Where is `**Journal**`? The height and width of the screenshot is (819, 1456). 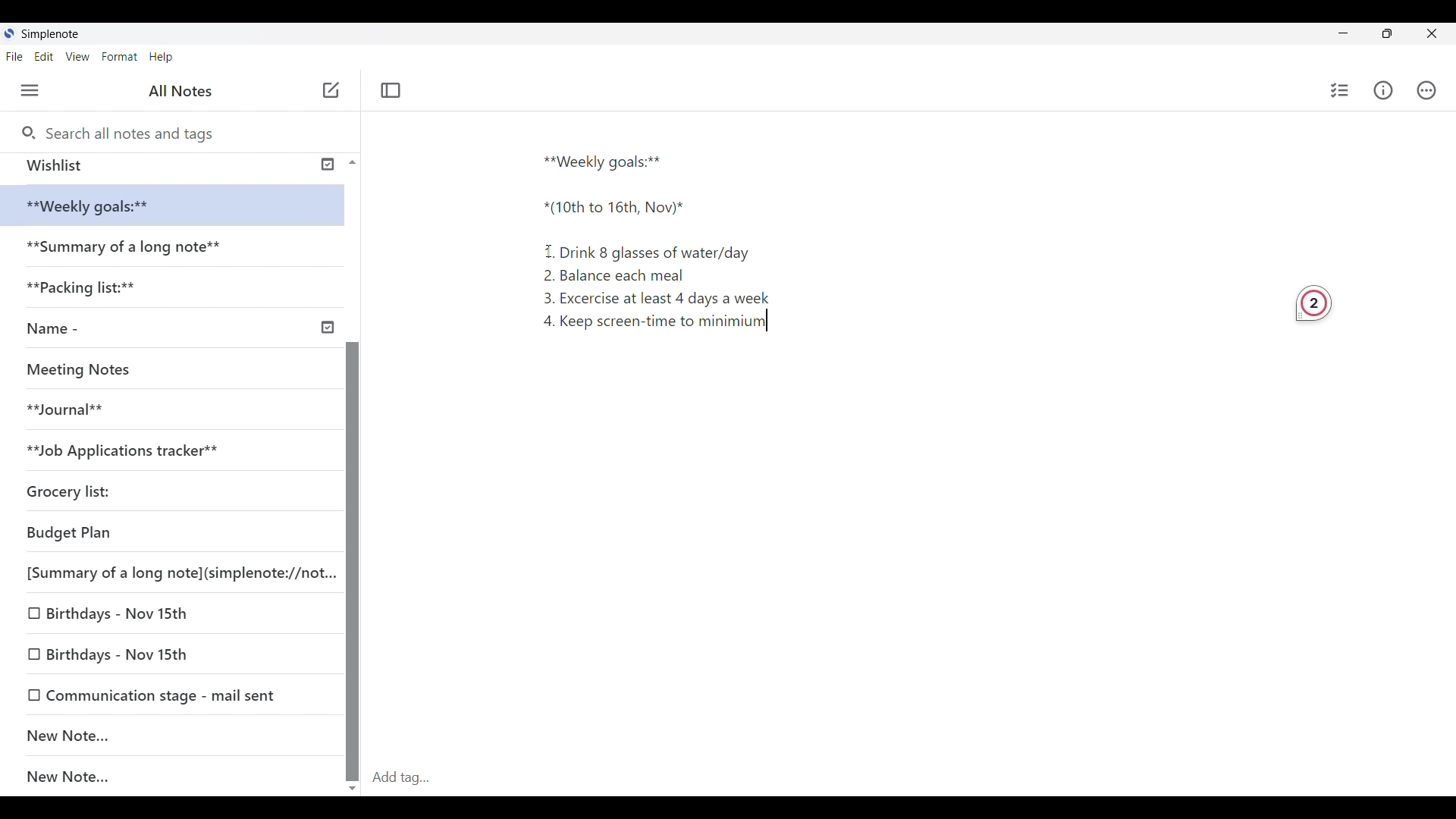
**Journal** is located at coordinates (73, 407).